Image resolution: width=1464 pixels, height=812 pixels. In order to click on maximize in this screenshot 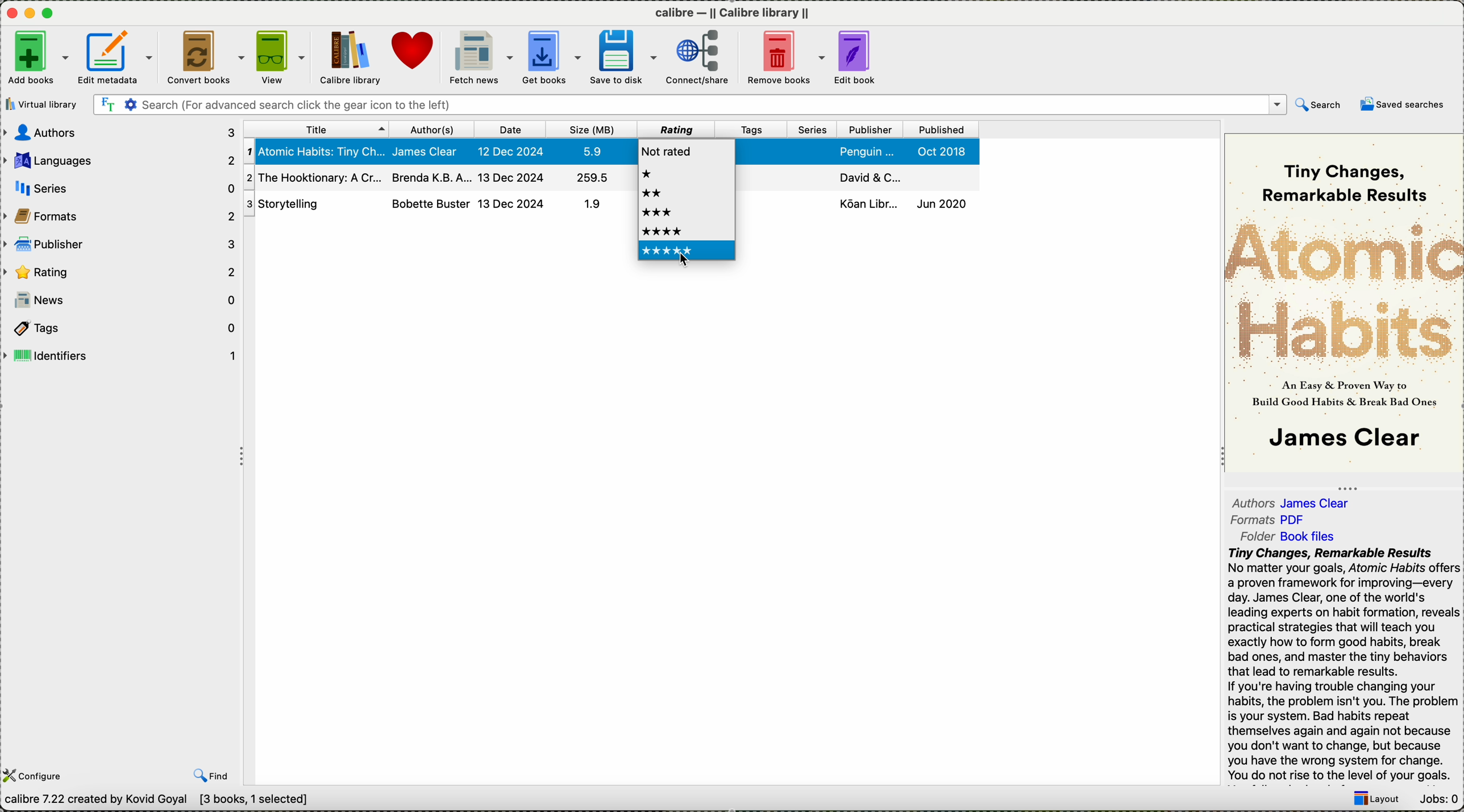, I will do `click(50, 14)`.